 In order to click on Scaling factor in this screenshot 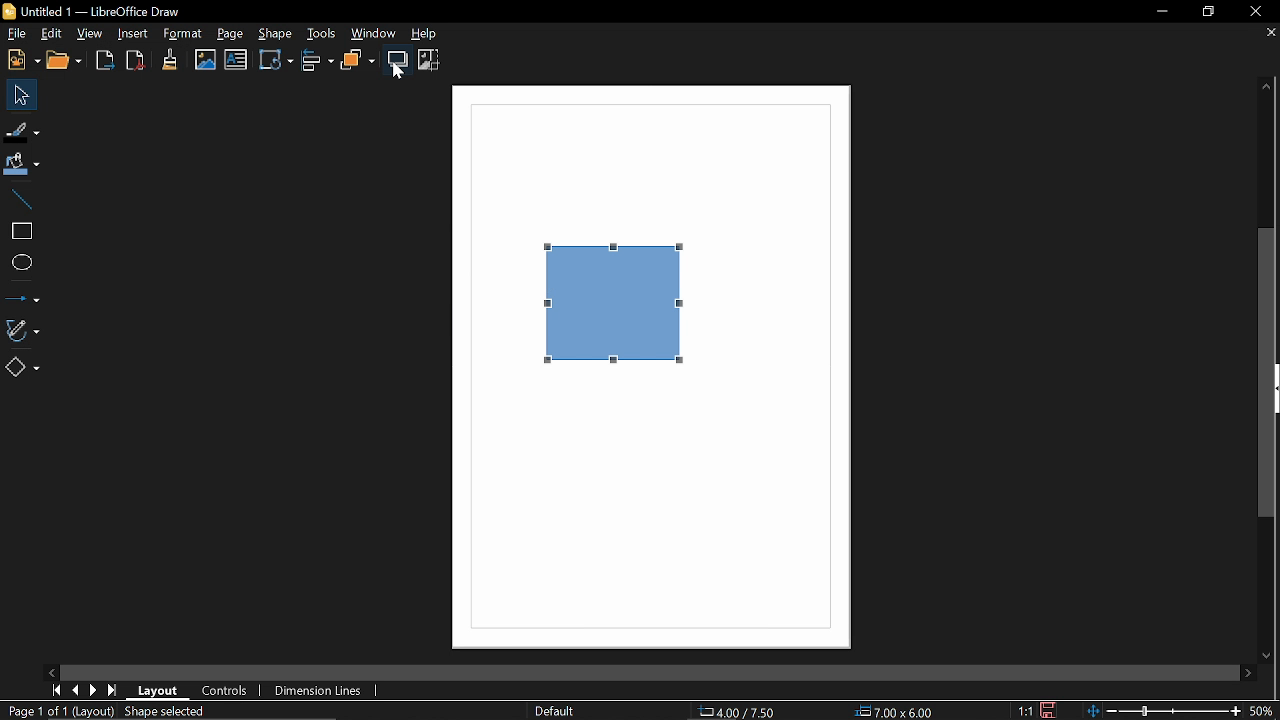, I will do `click(1026, 711)`.